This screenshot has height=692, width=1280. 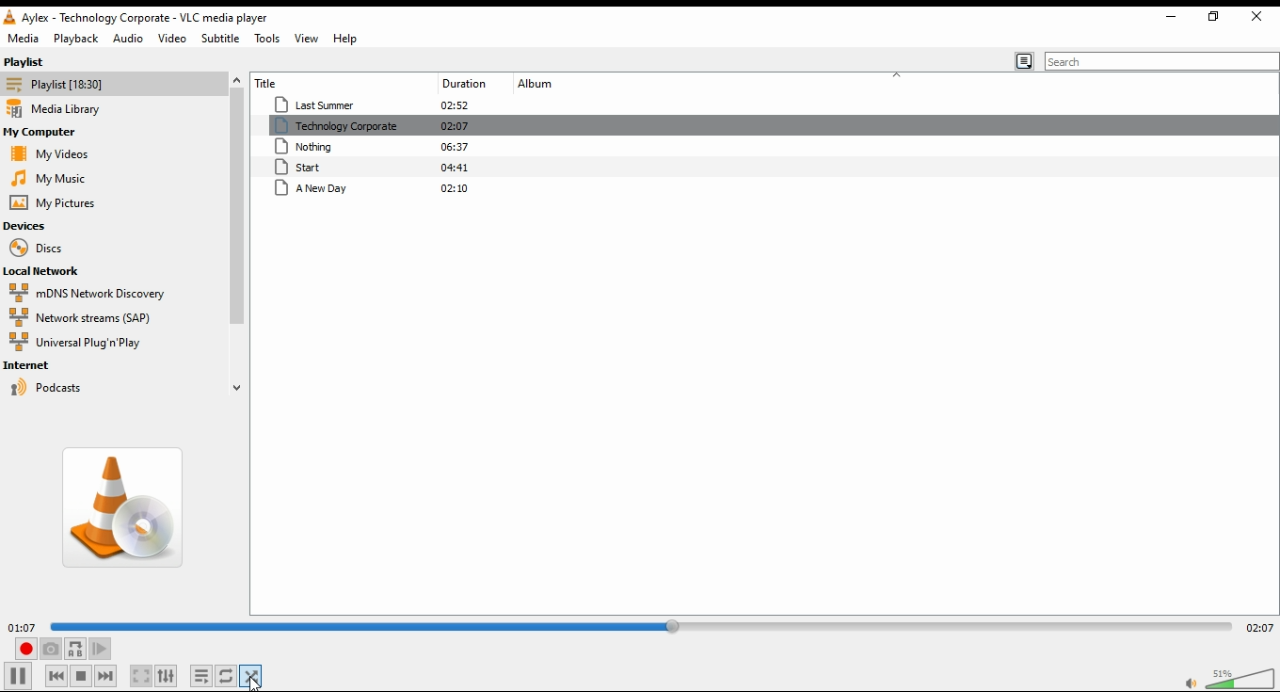 I want to click on start, so click(x=378, y=167).